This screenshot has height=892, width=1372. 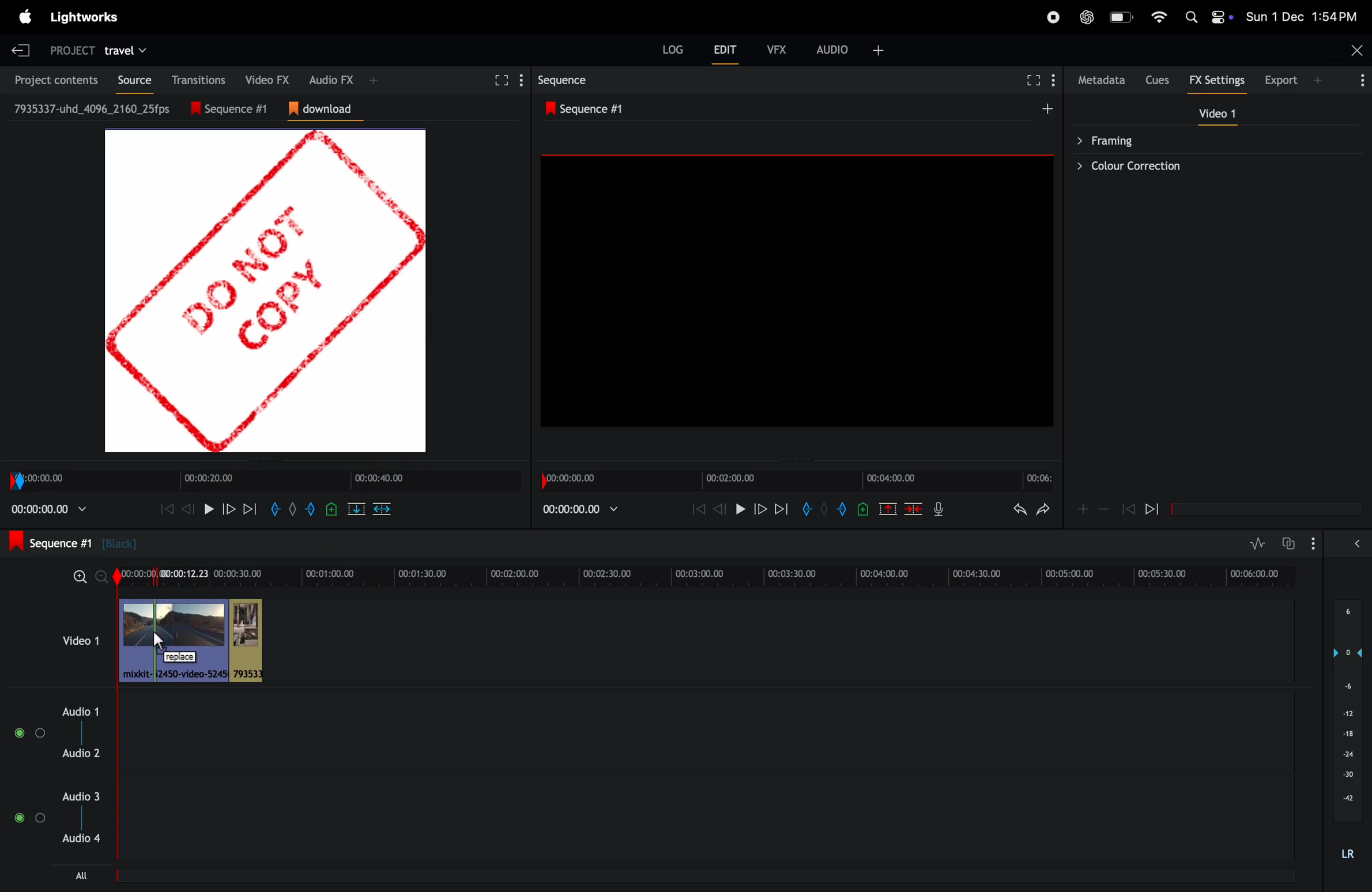 I want to click on Apple logo, so click(x=26, y=17).